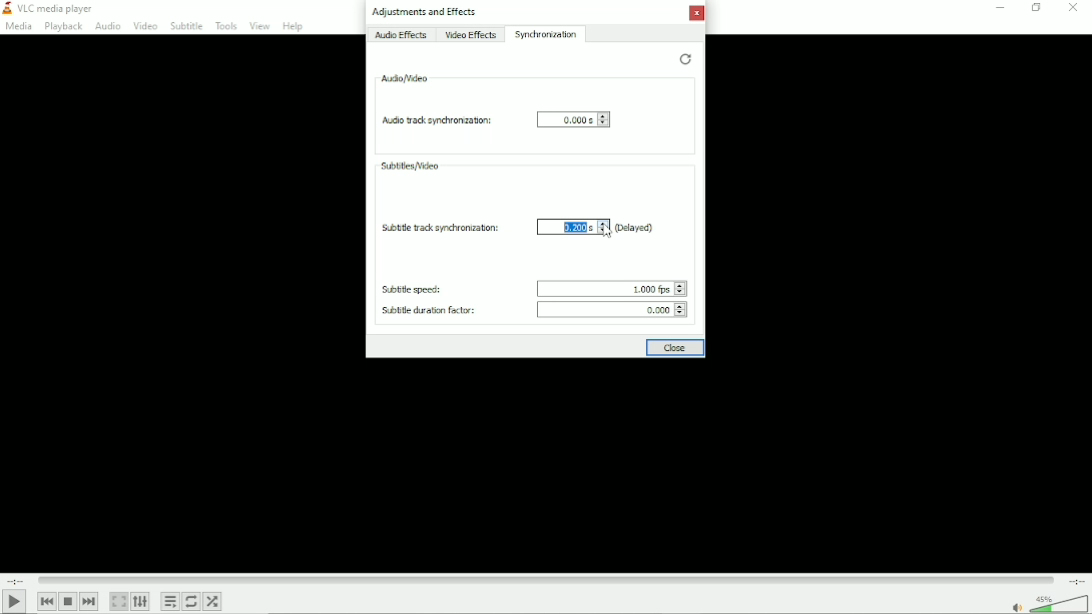 This screenshot has height=614, width=1092. I want to click on Minimize, so click(998, 7).